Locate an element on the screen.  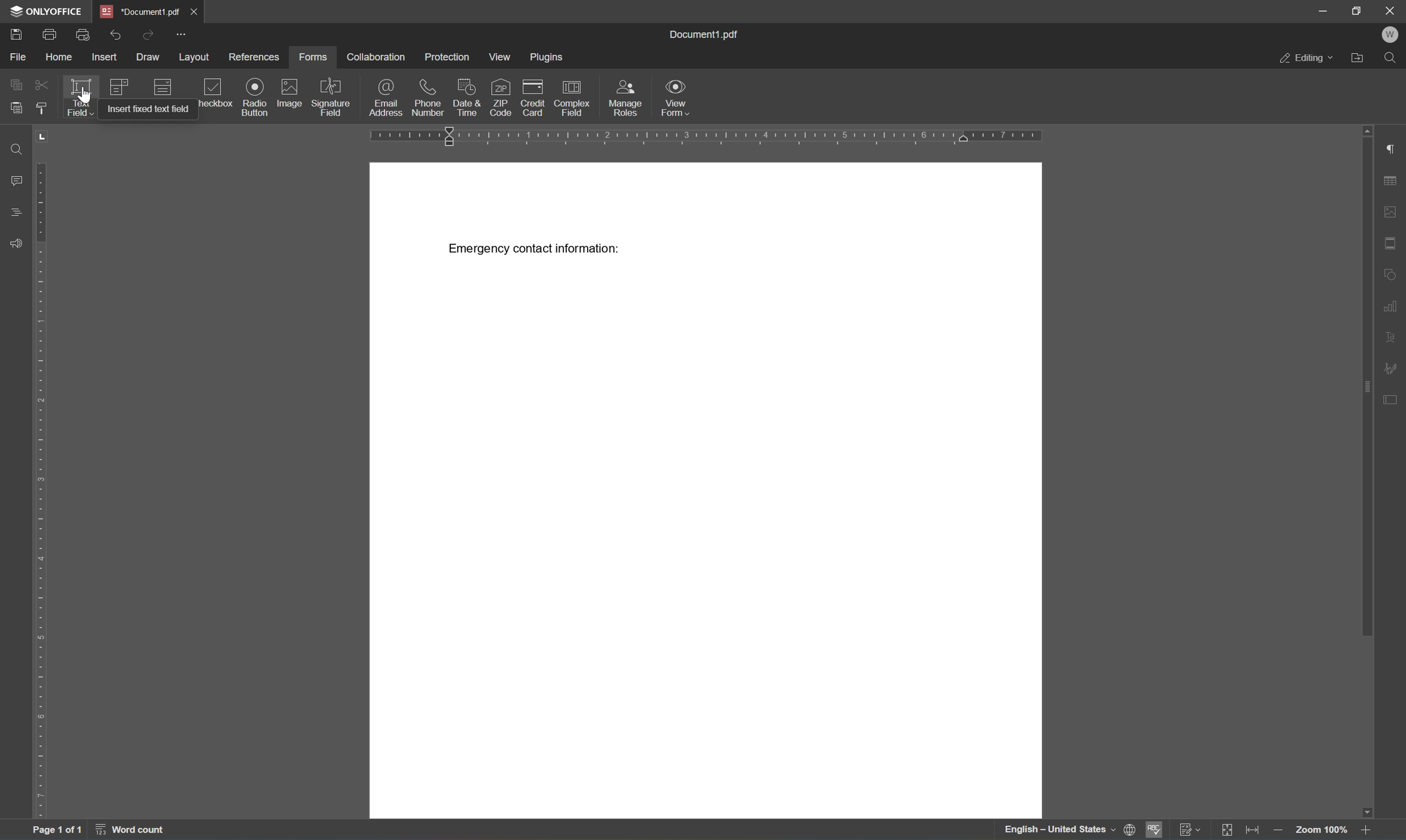
radio button is located at coordinates (257, 97).